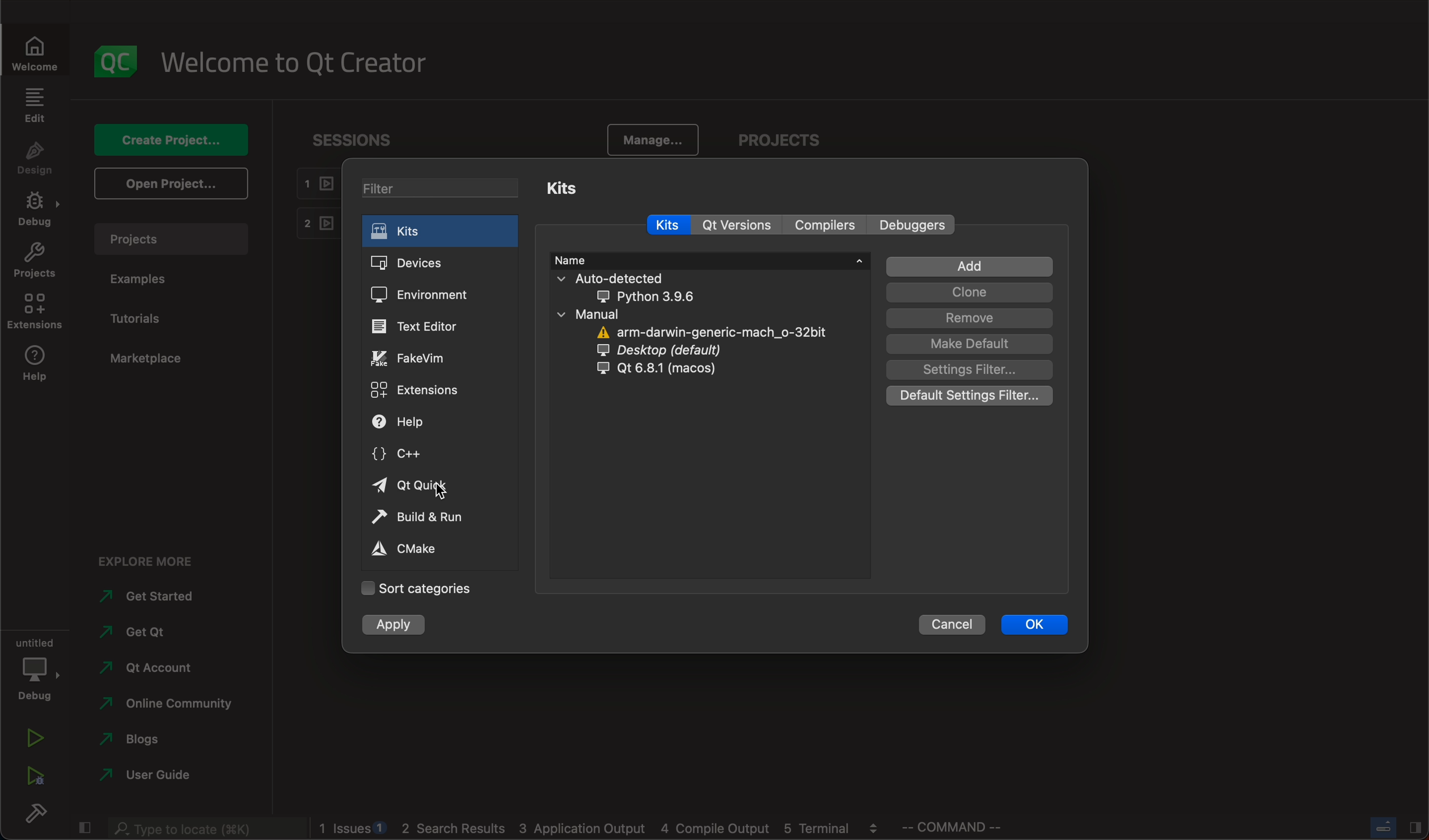  What do you see at coordinates (434, 299) in the screenshot?
I see `environment` at bounding box center [434, 299].